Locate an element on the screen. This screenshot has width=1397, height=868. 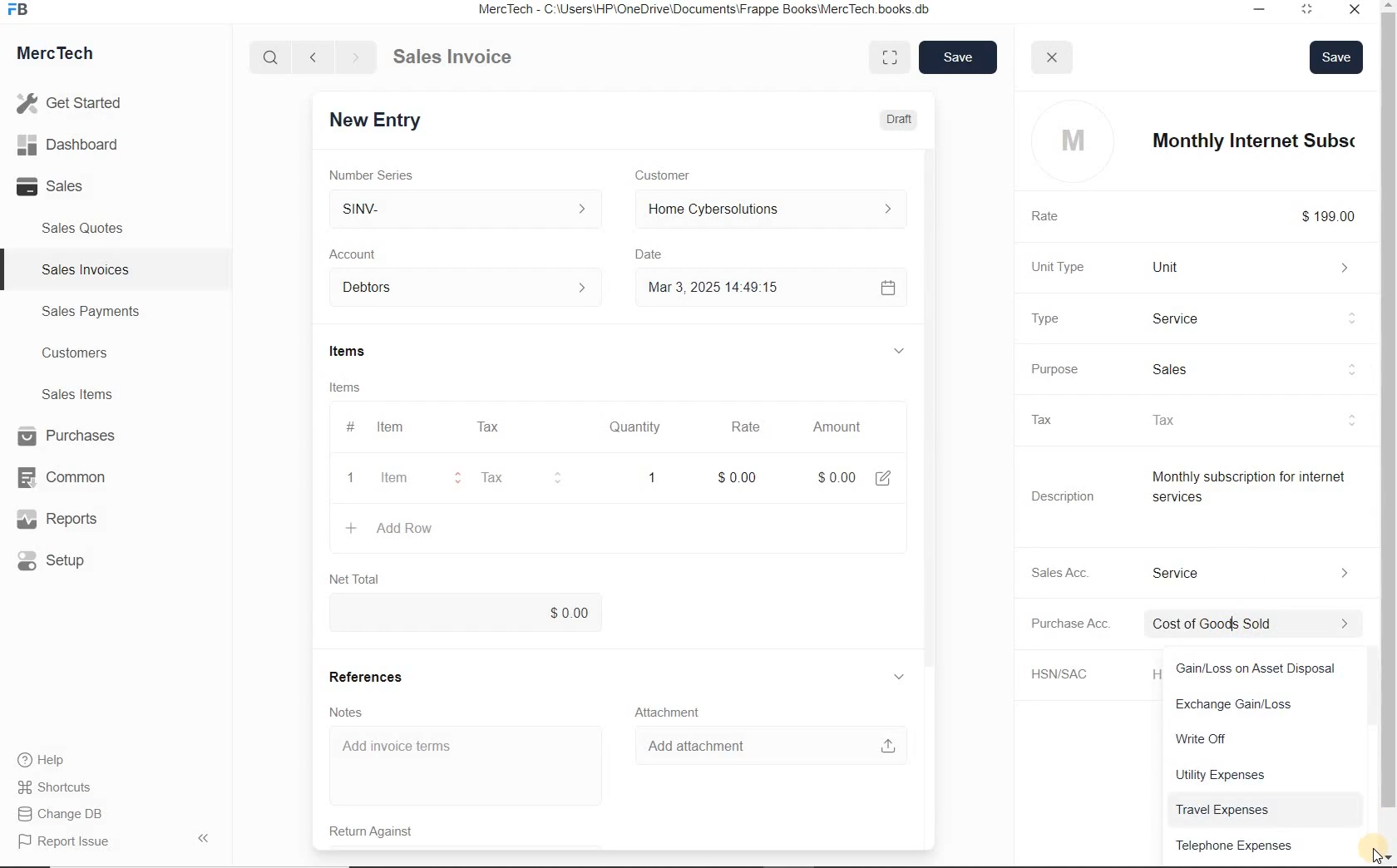
Dashboard is located at coordinates (76, 145).